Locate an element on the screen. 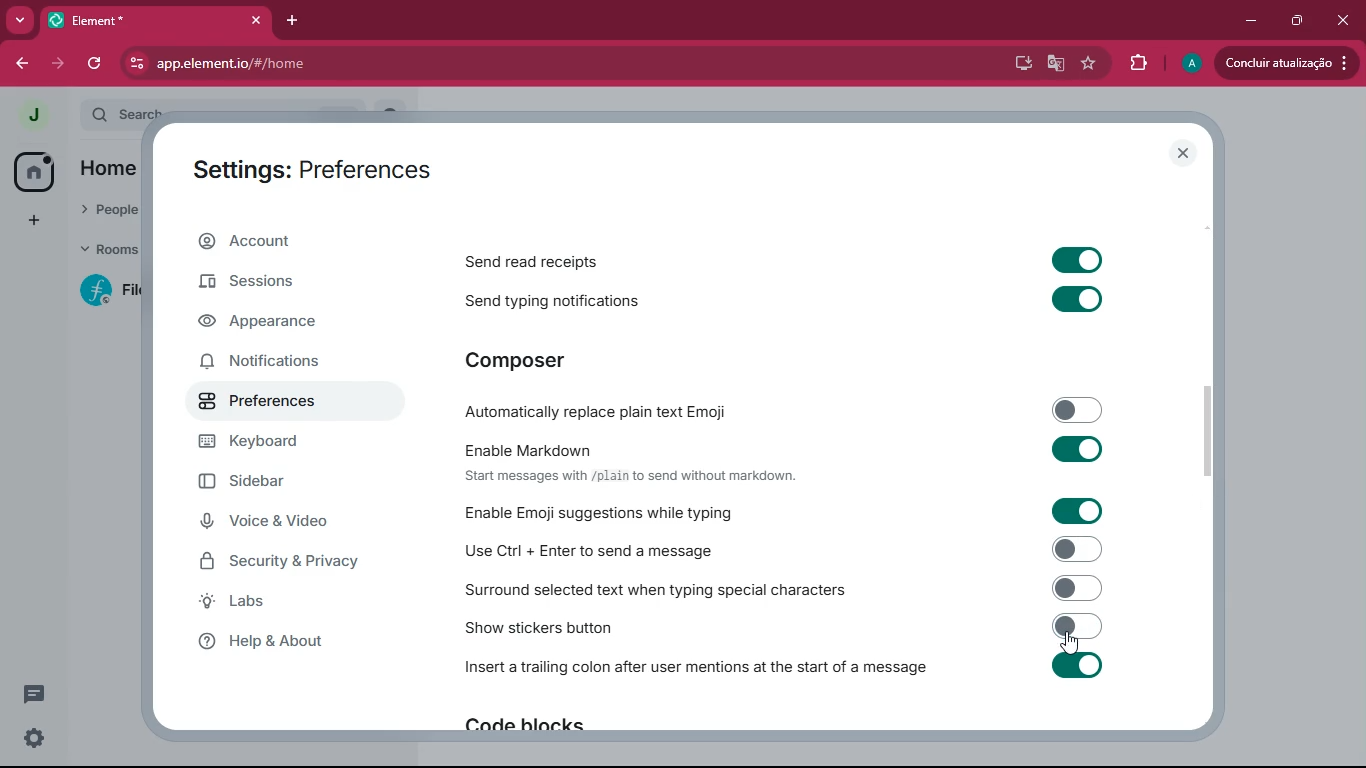  refresh is located at coordinates (95, 64).